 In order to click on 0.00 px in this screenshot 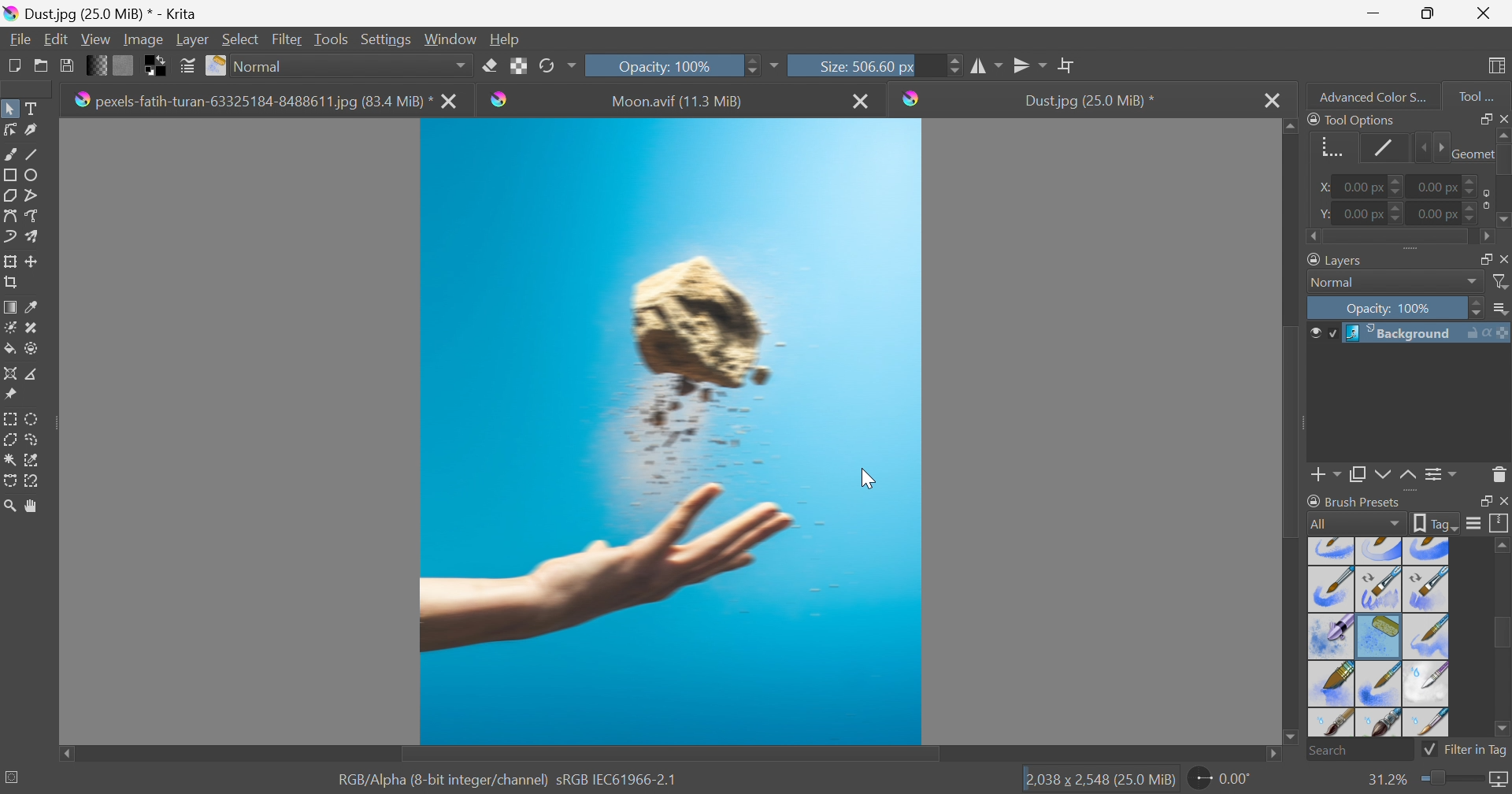, I will do `click(1436, 214)`.